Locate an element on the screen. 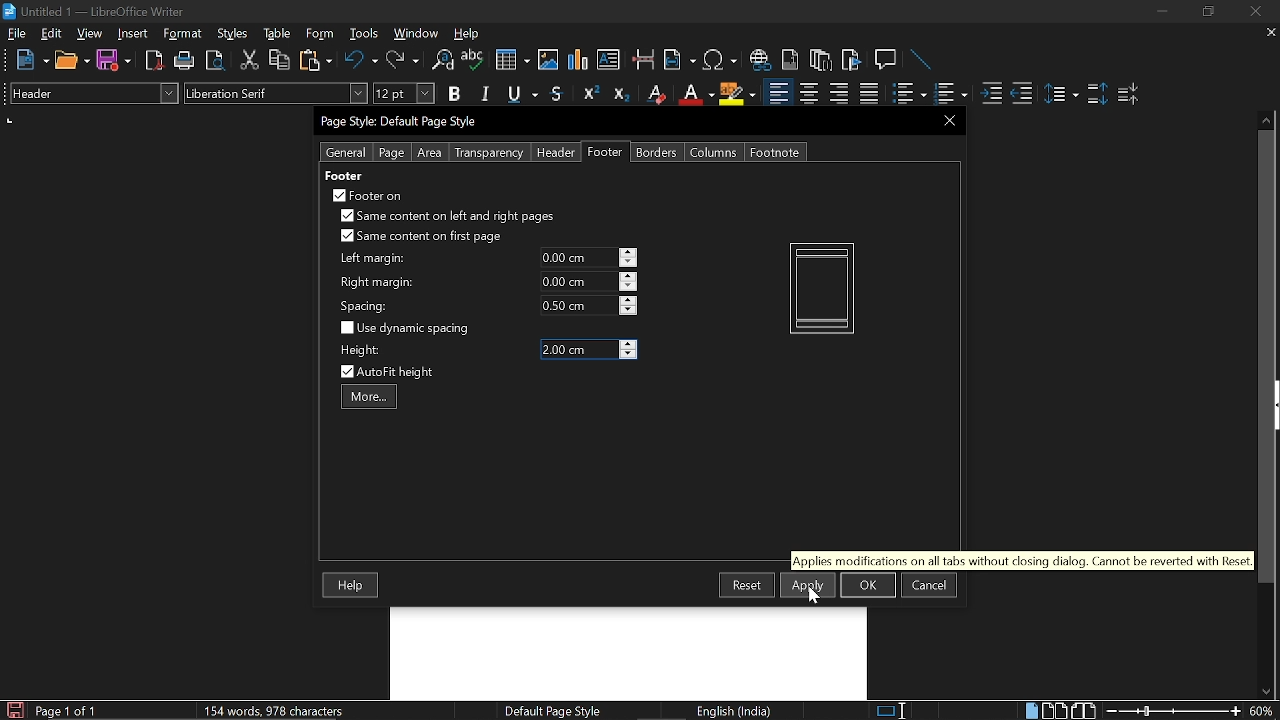  Paste is located at coordinates (314, 59).